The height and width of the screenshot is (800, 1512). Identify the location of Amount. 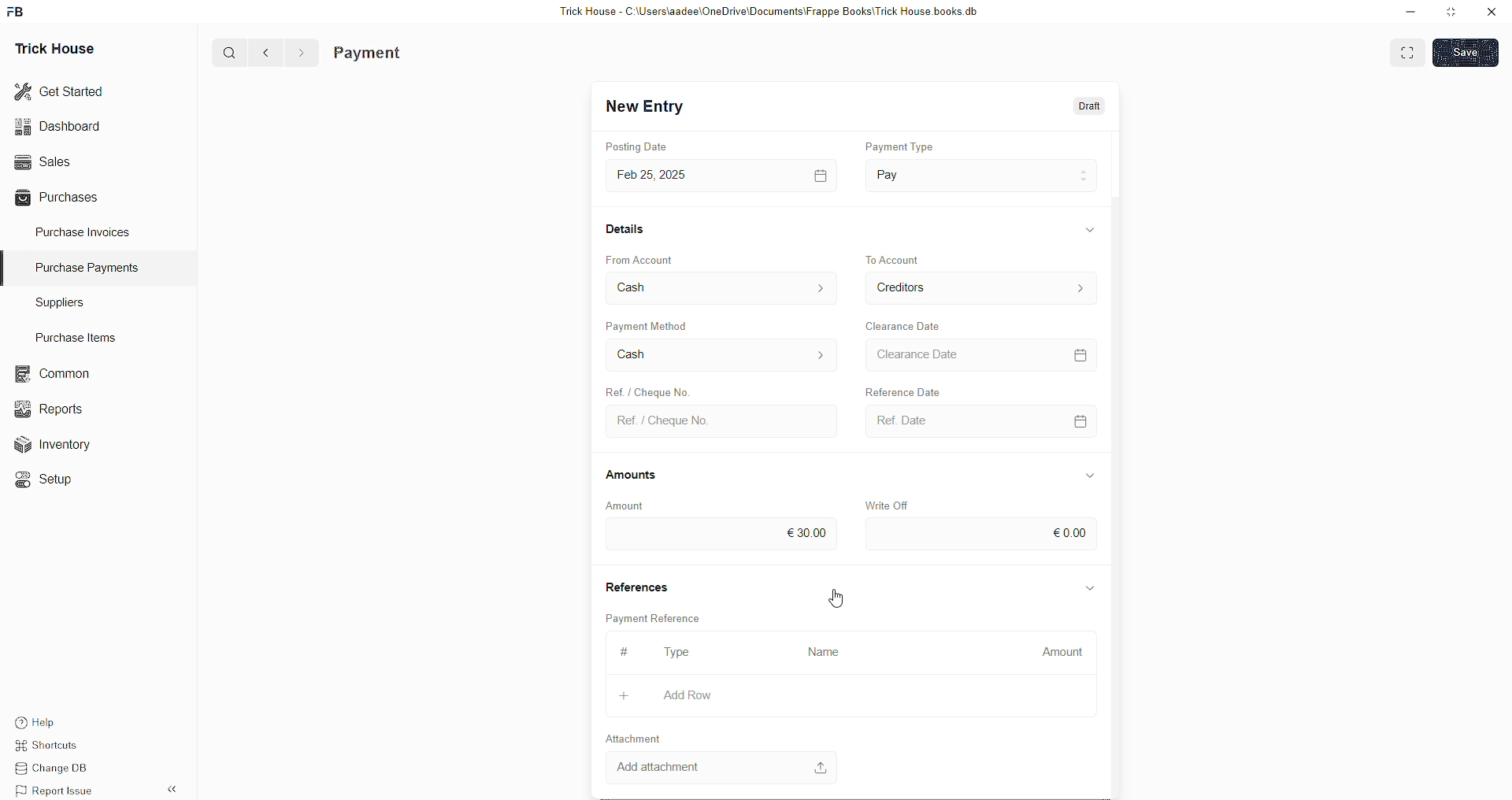
(1056, 651).